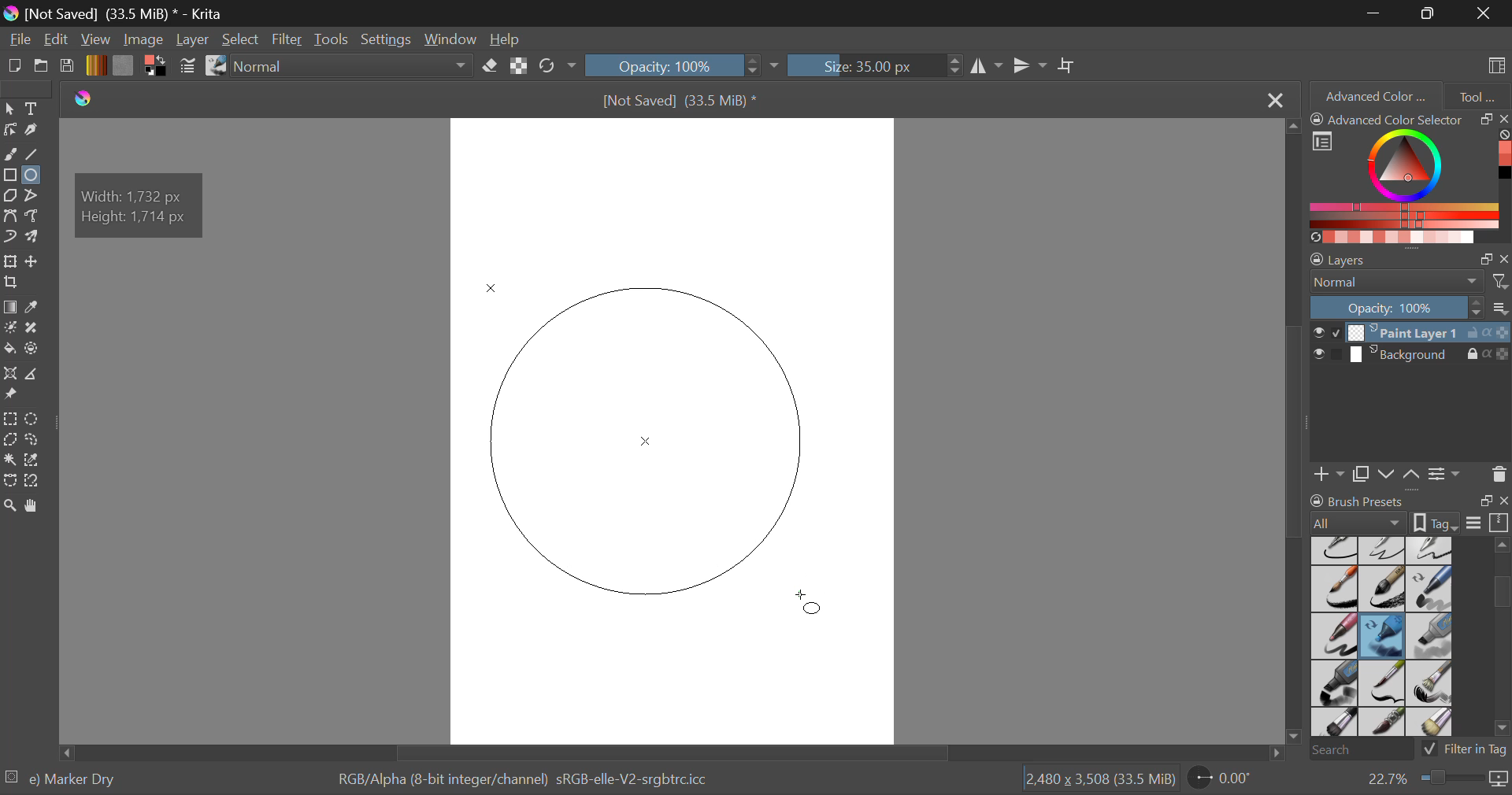  Describe the element at coordinates (1384, 723) in the screenshot. I see `Bristles-4 Glaze` at that location.